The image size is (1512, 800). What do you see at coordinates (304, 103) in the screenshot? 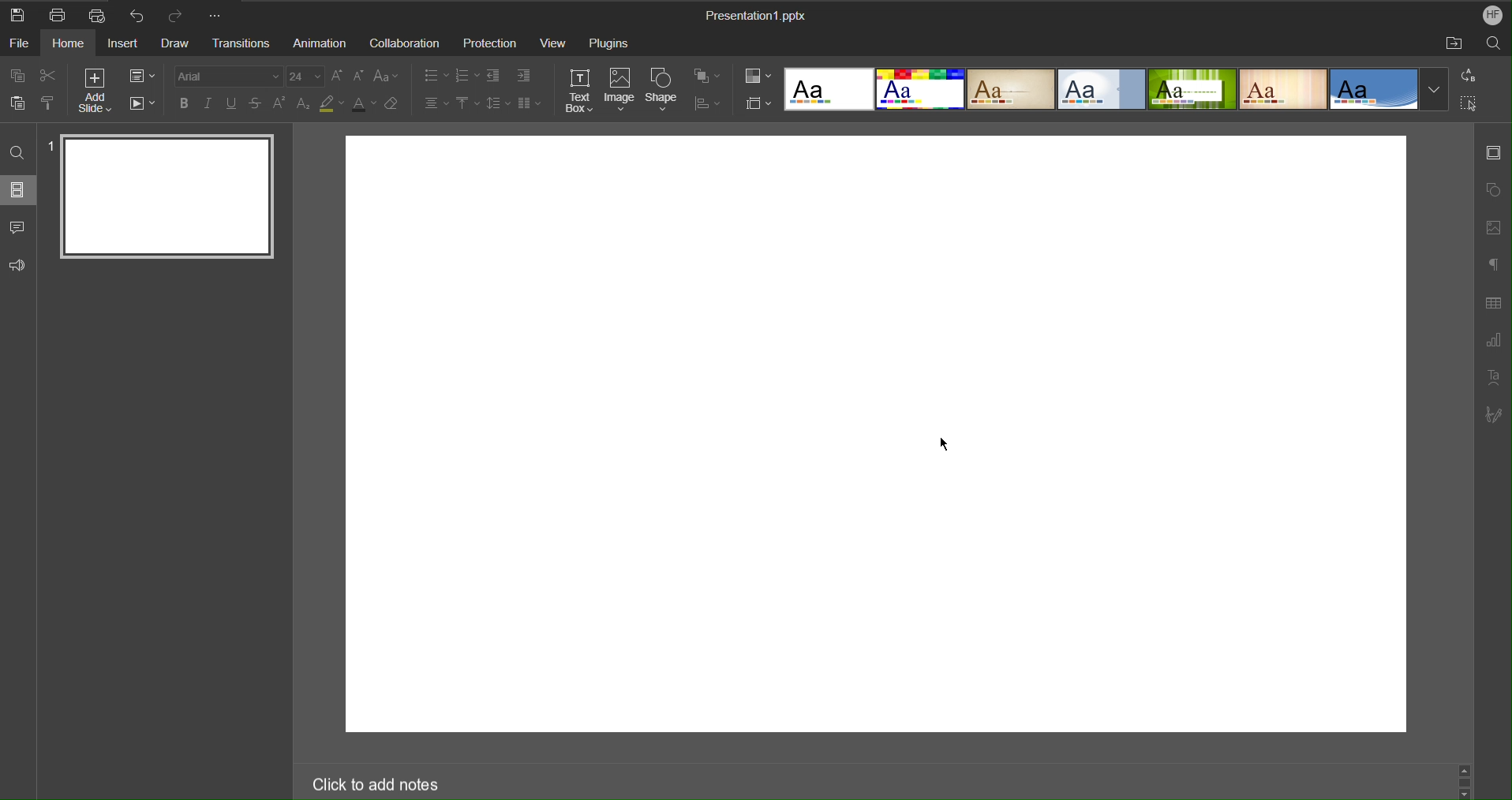
I see `Subscript` at bounding box center [304, 103].